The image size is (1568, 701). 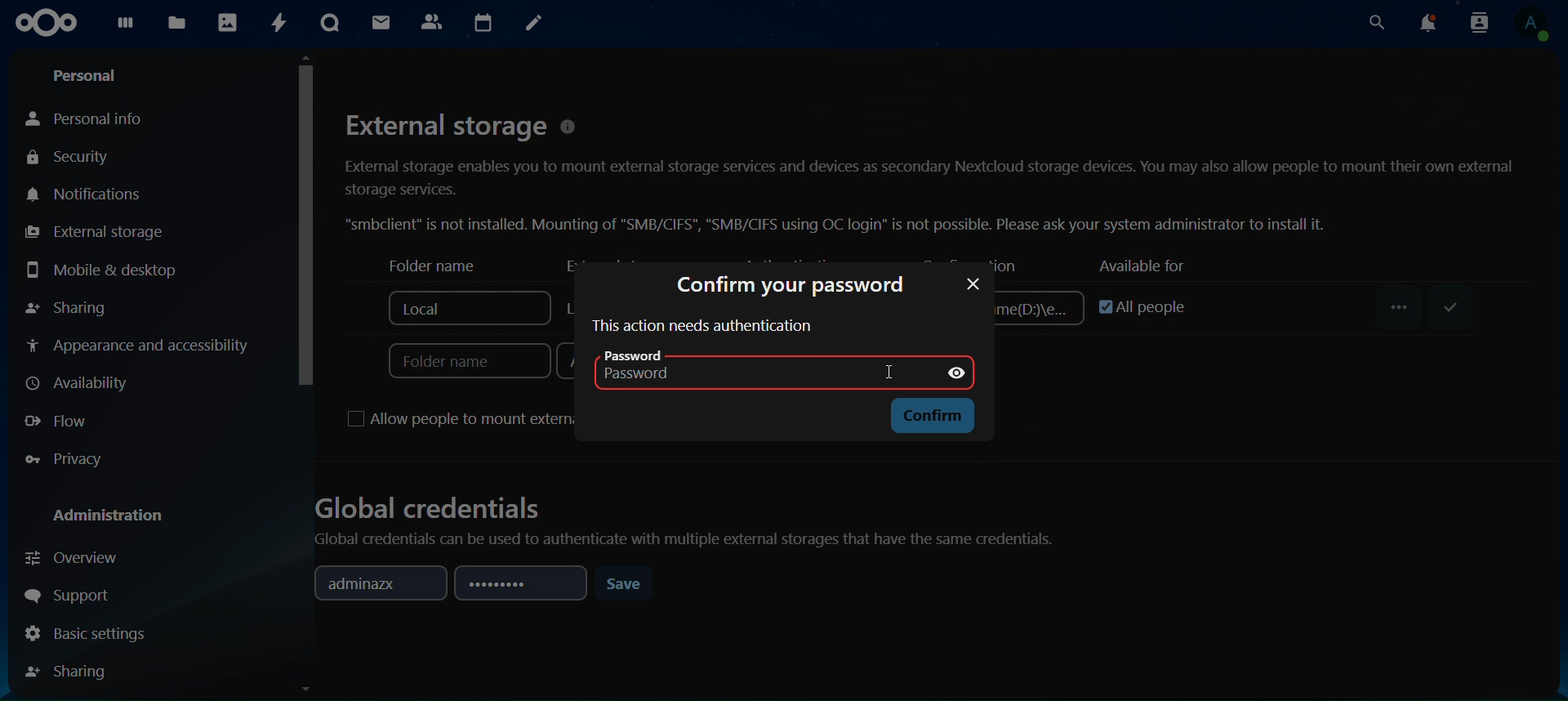 What do you see at coordinates (930, 416) in the screenshot?
I see `confirm` at bounding box center [930, 416].